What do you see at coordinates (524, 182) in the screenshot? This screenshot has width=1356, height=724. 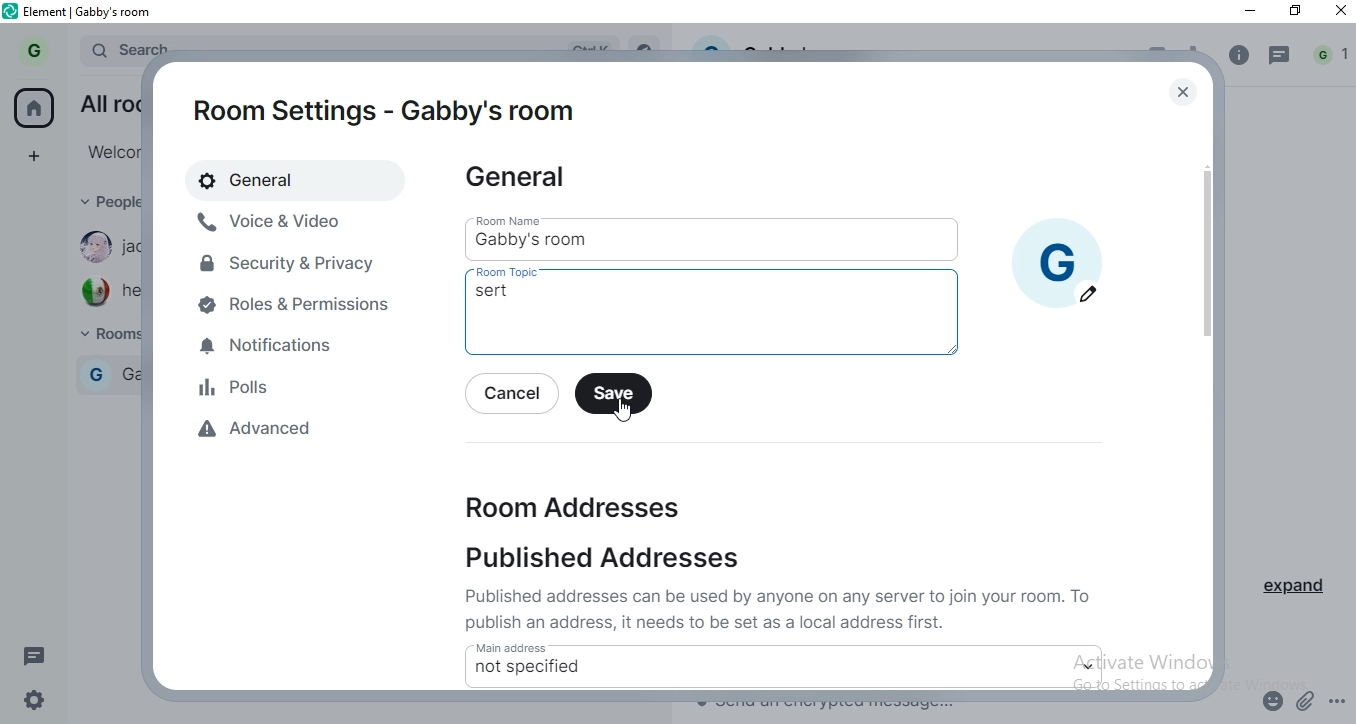 I see `general` at bounding box center [524, 182].